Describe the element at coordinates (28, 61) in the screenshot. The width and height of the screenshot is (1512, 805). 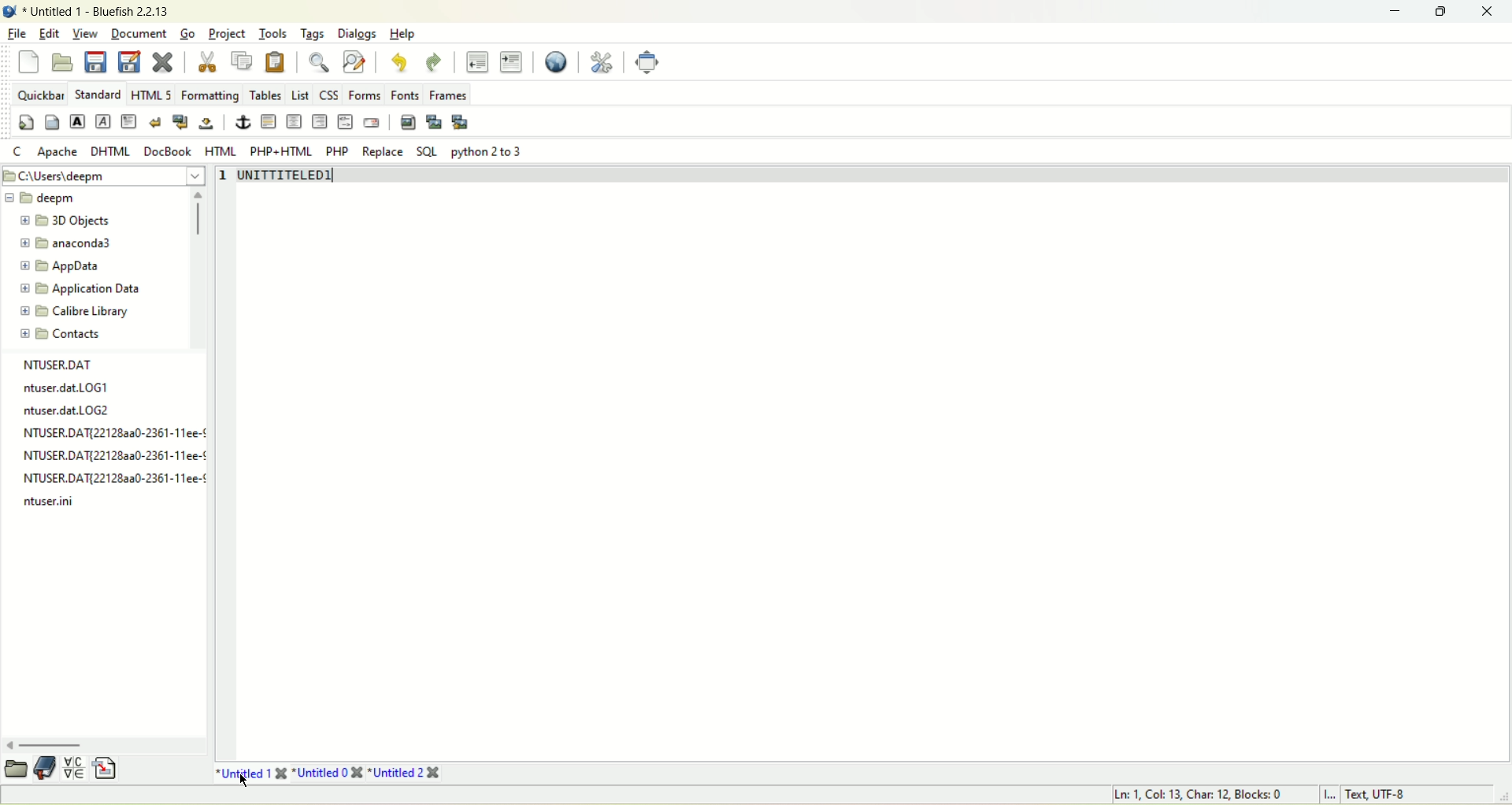
I see `new ` at that location.